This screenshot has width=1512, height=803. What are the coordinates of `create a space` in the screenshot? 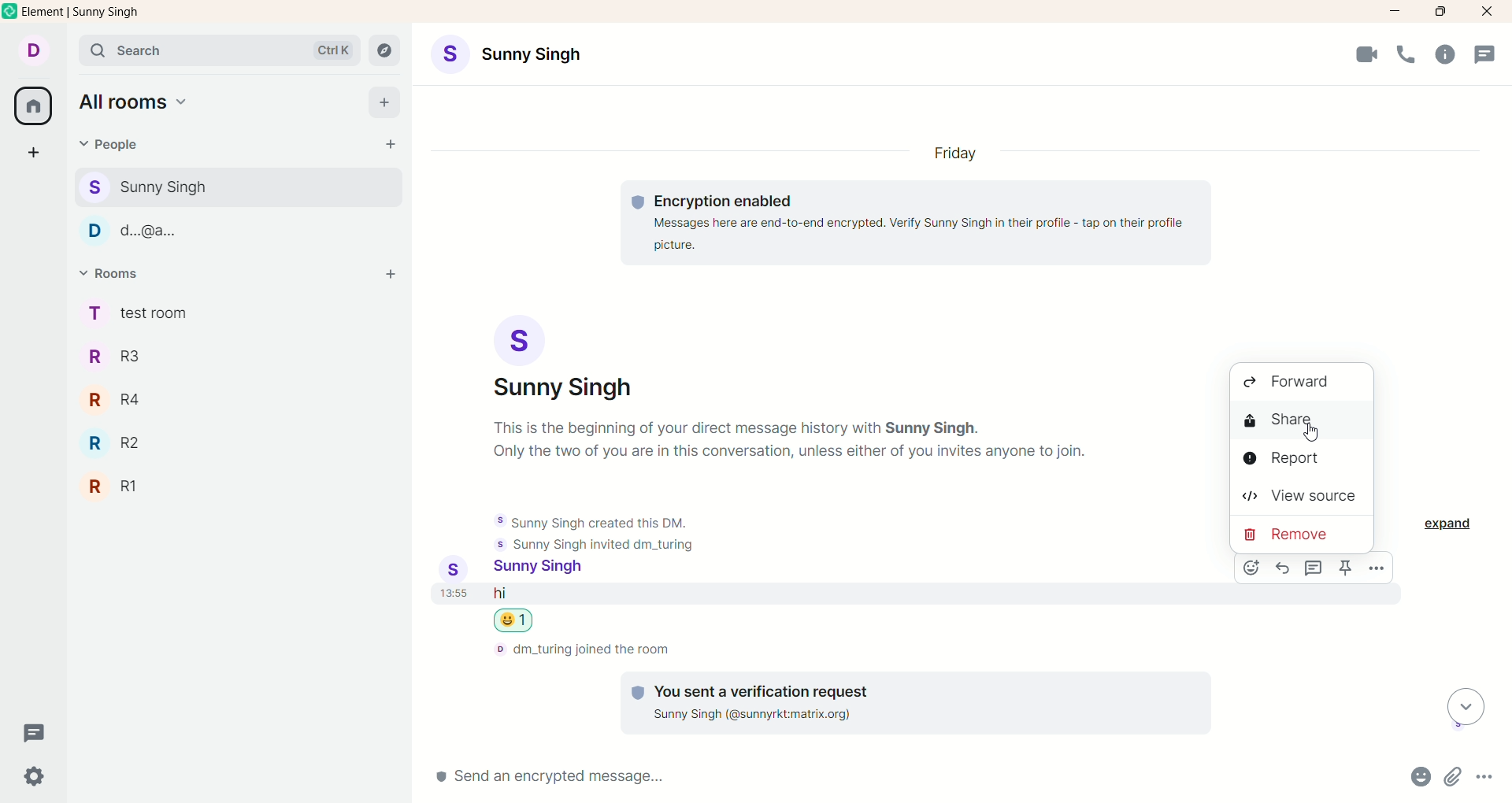 It's located at (35, 156).